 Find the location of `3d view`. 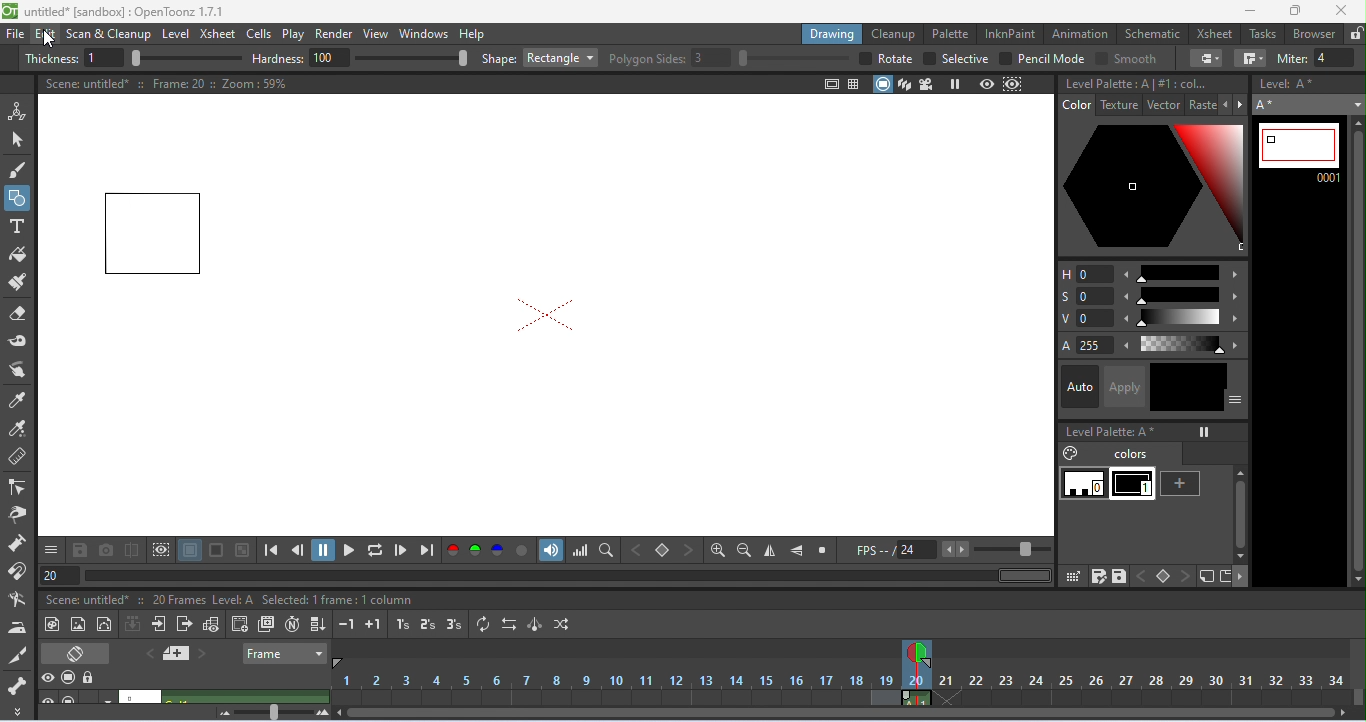

3d view is located at coordinates (906, 85).